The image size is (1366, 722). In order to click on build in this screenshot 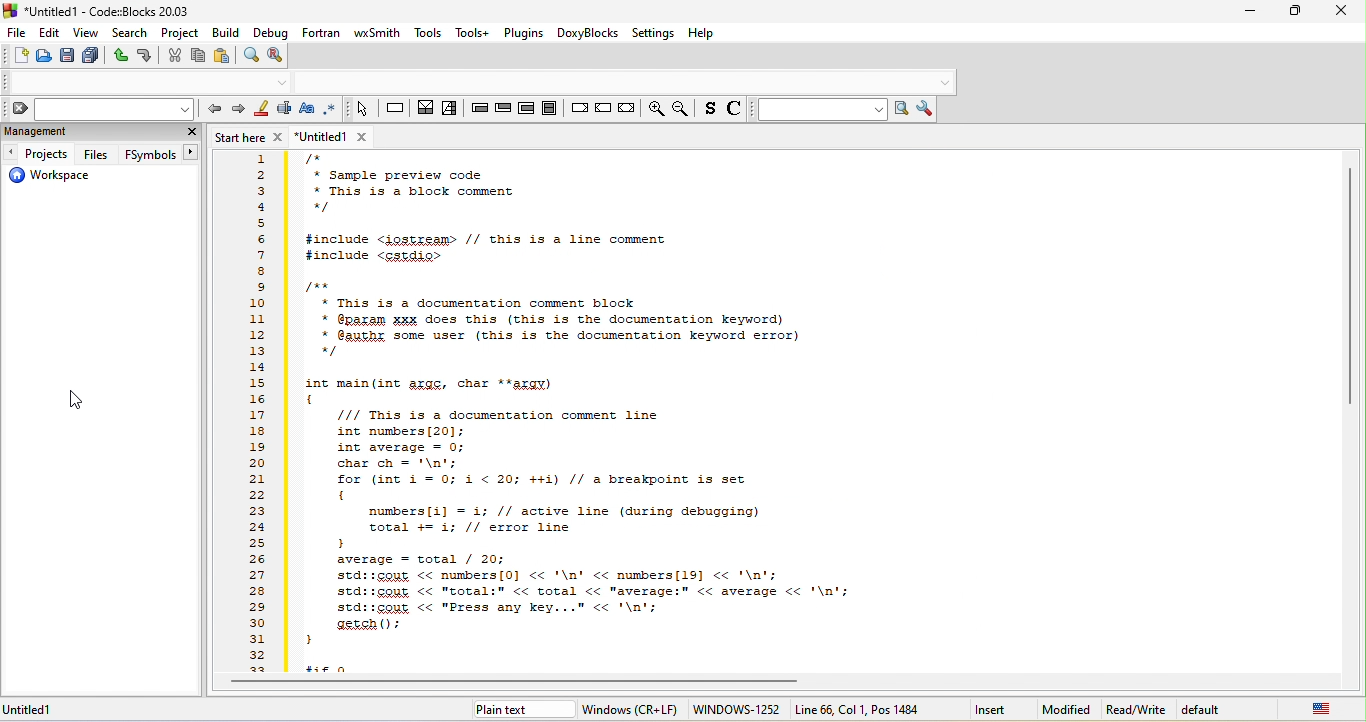, I will do `click(228, 33)`.